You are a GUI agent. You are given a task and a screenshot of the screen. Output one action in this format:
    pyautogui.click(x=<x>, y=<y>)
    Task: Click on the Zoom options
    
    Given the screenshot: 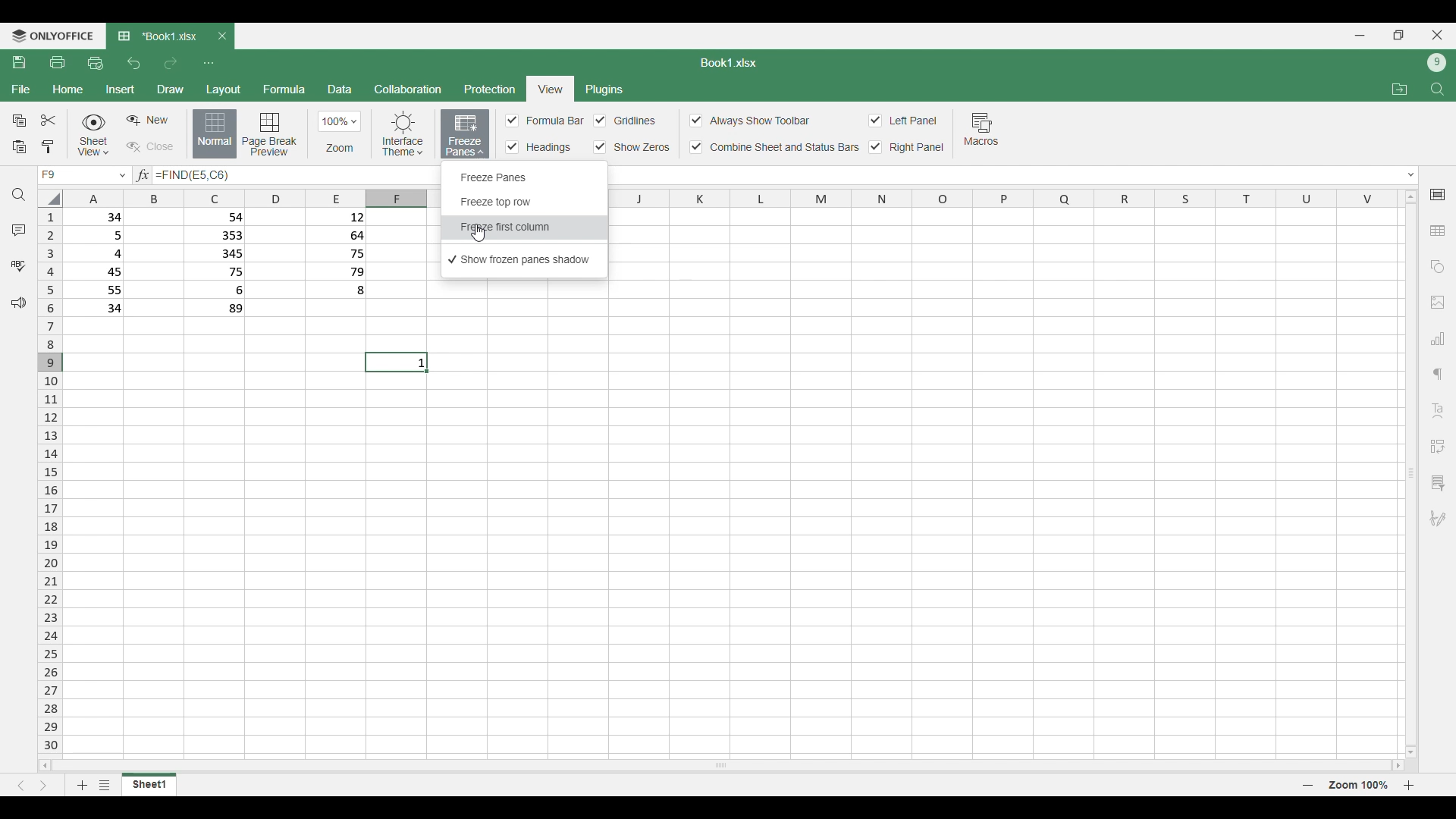 What is the action you would take?
    pyautogui.click(x=339, y=132)
    